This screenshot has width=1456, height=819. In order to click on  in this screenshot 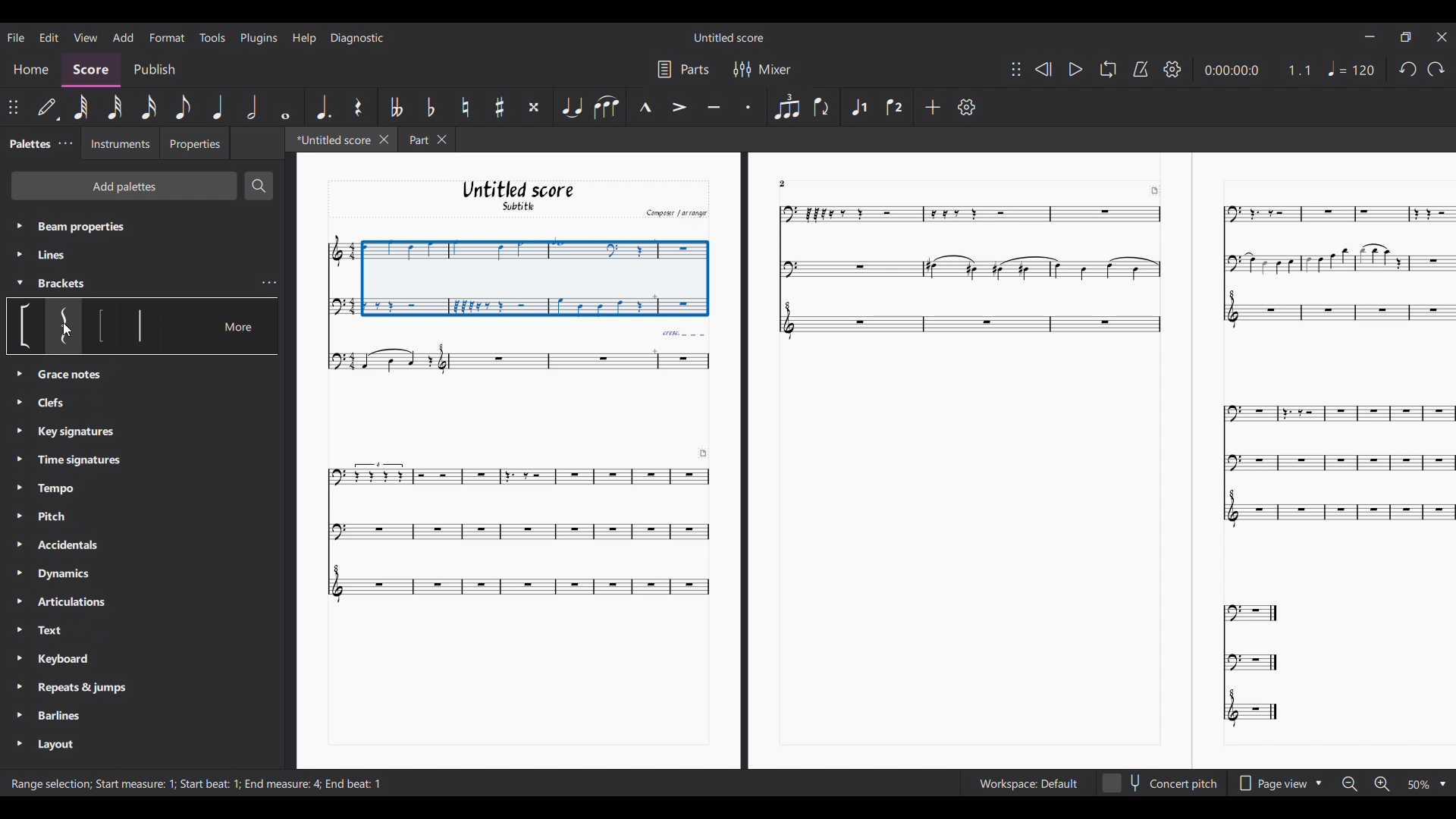, I will do `click(522, 475)`.